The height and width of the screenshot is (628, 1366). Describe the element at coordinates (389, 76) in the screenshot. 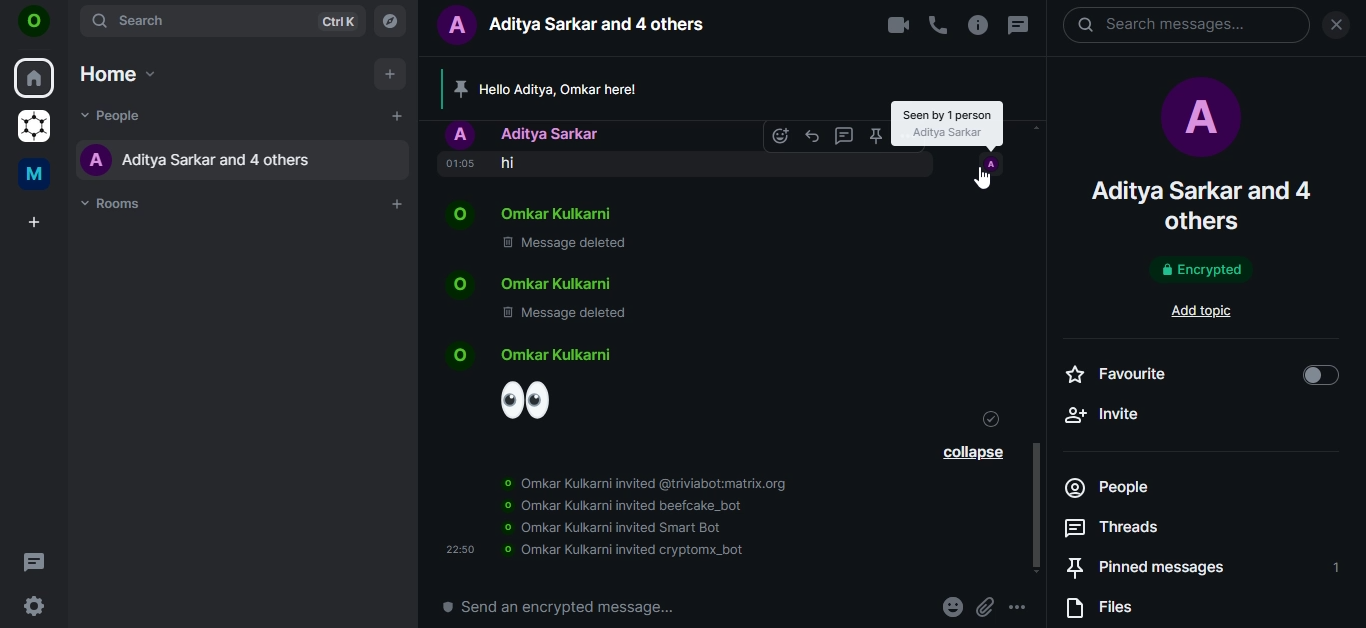

I see `add` at that location.